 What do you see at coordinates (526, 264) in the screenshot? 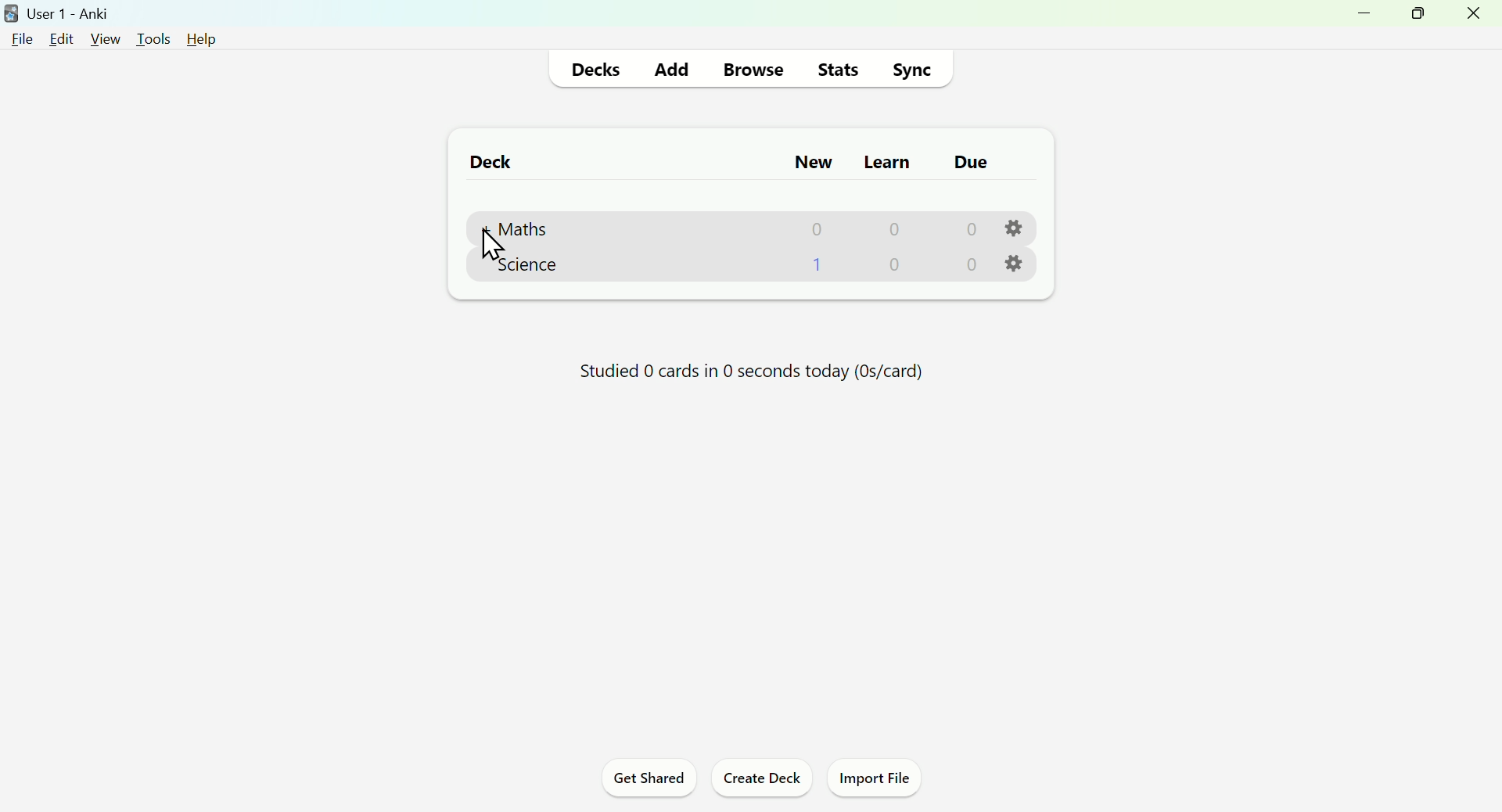
I see `Science` at bounding box center [526, 264].